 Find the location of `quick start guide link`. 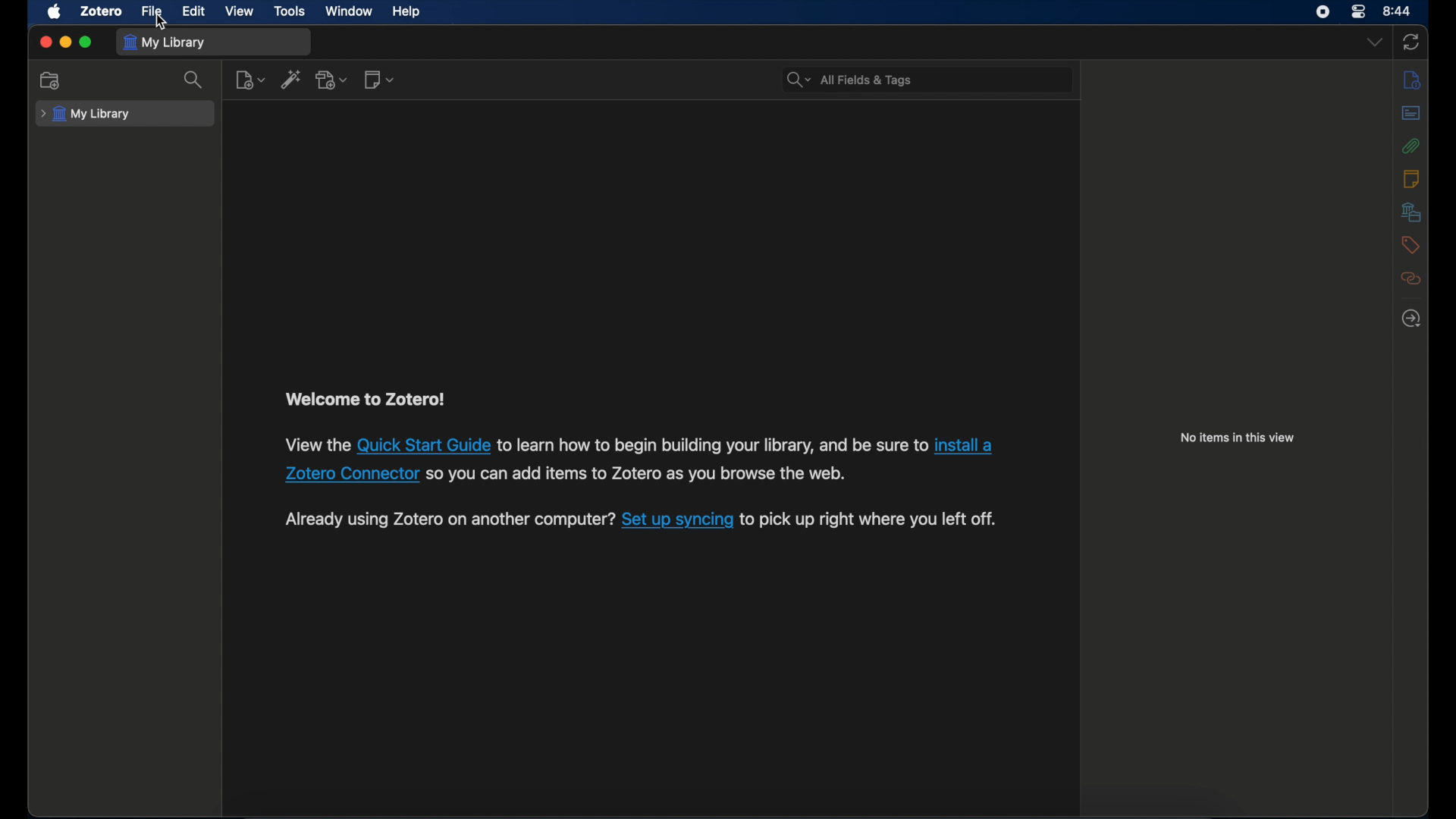

quick start guide link is located at coordinates (425, 444).